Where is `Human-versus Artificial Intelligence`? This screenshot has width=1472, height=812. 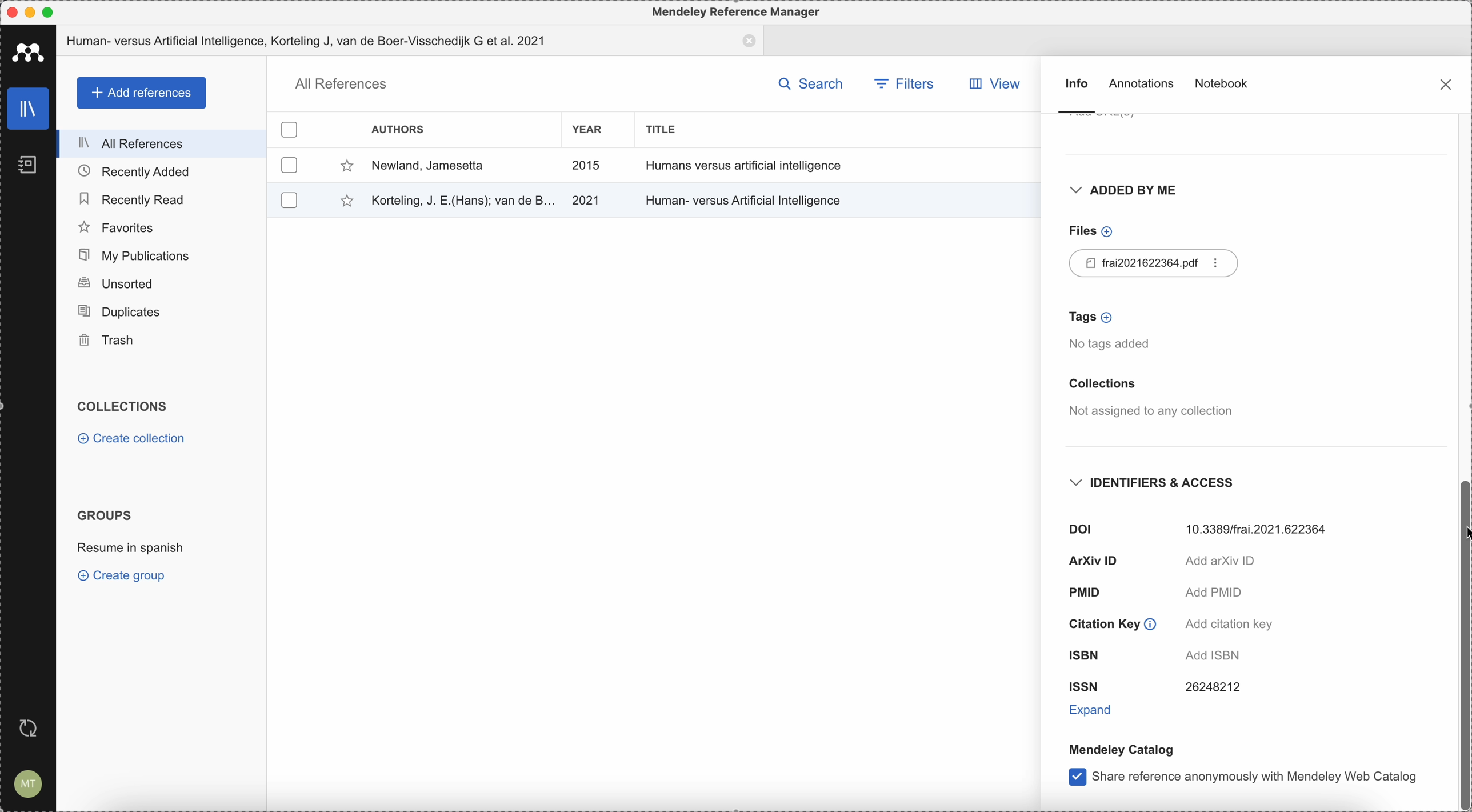 Human-versus Artificial Intelligence is located at coordinates (747, 198).